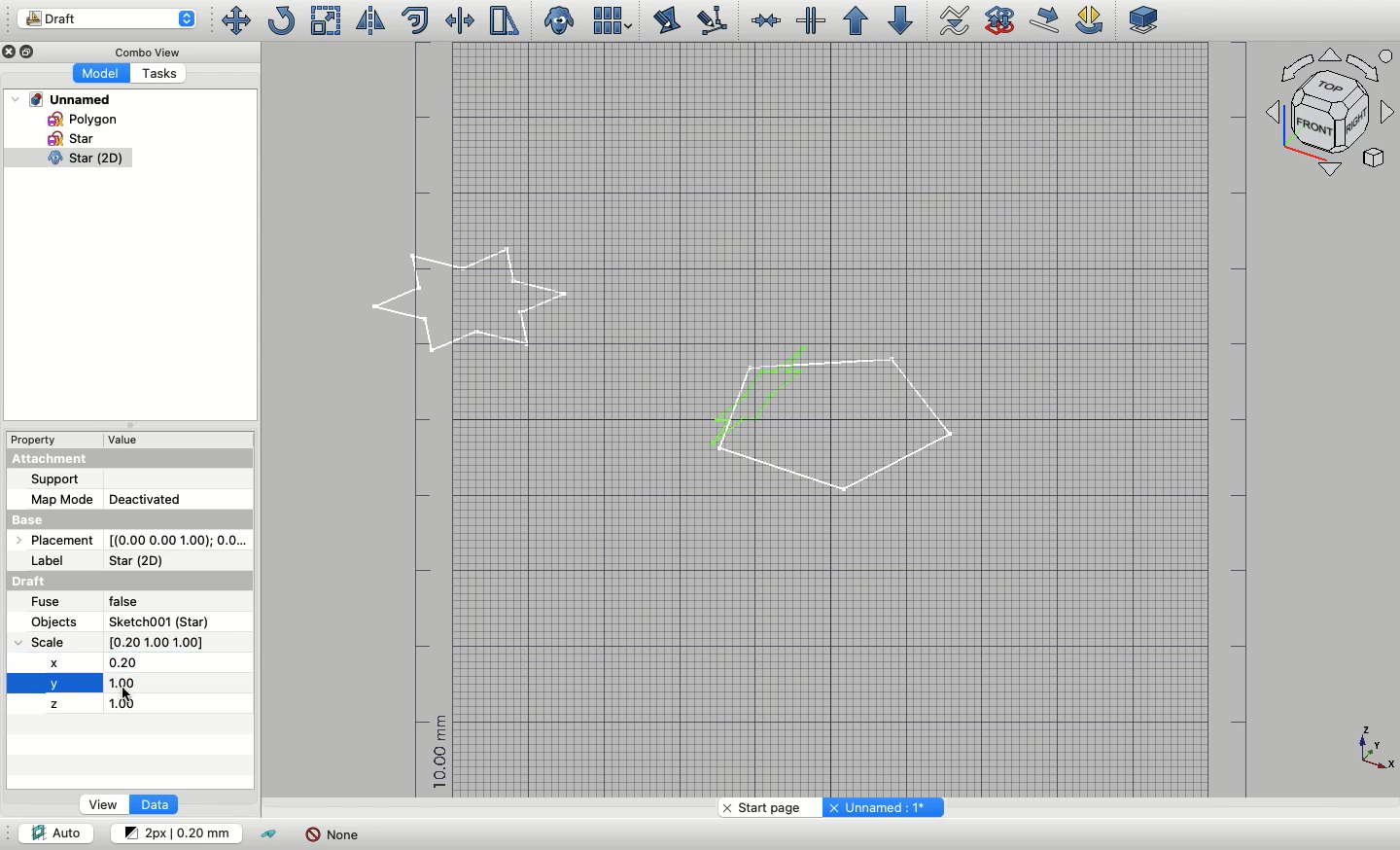 This screenshot has height=850, width=1400. I want to click on Move, so click(234, 20).